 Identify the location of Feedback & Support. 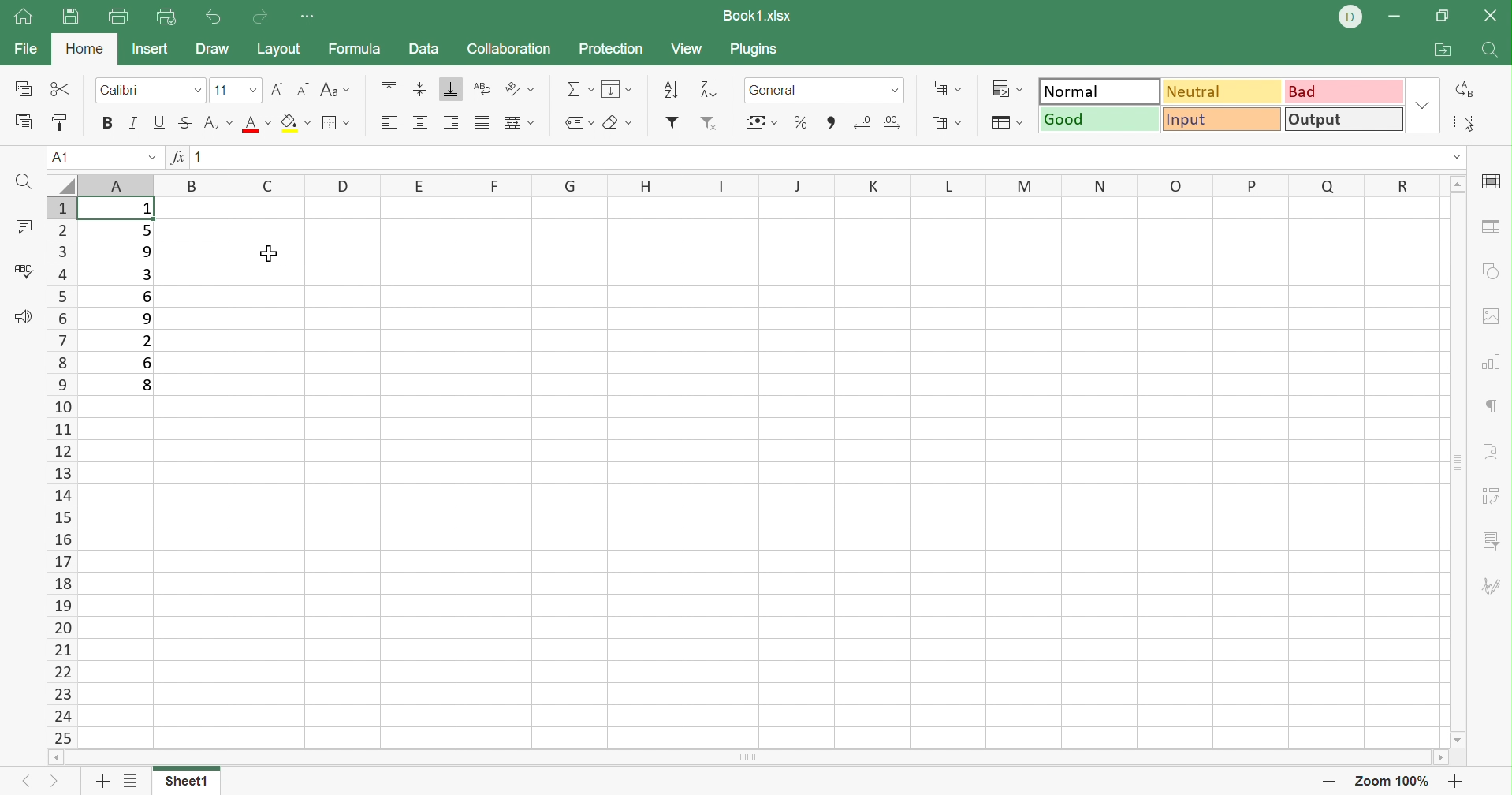
(22, 315).